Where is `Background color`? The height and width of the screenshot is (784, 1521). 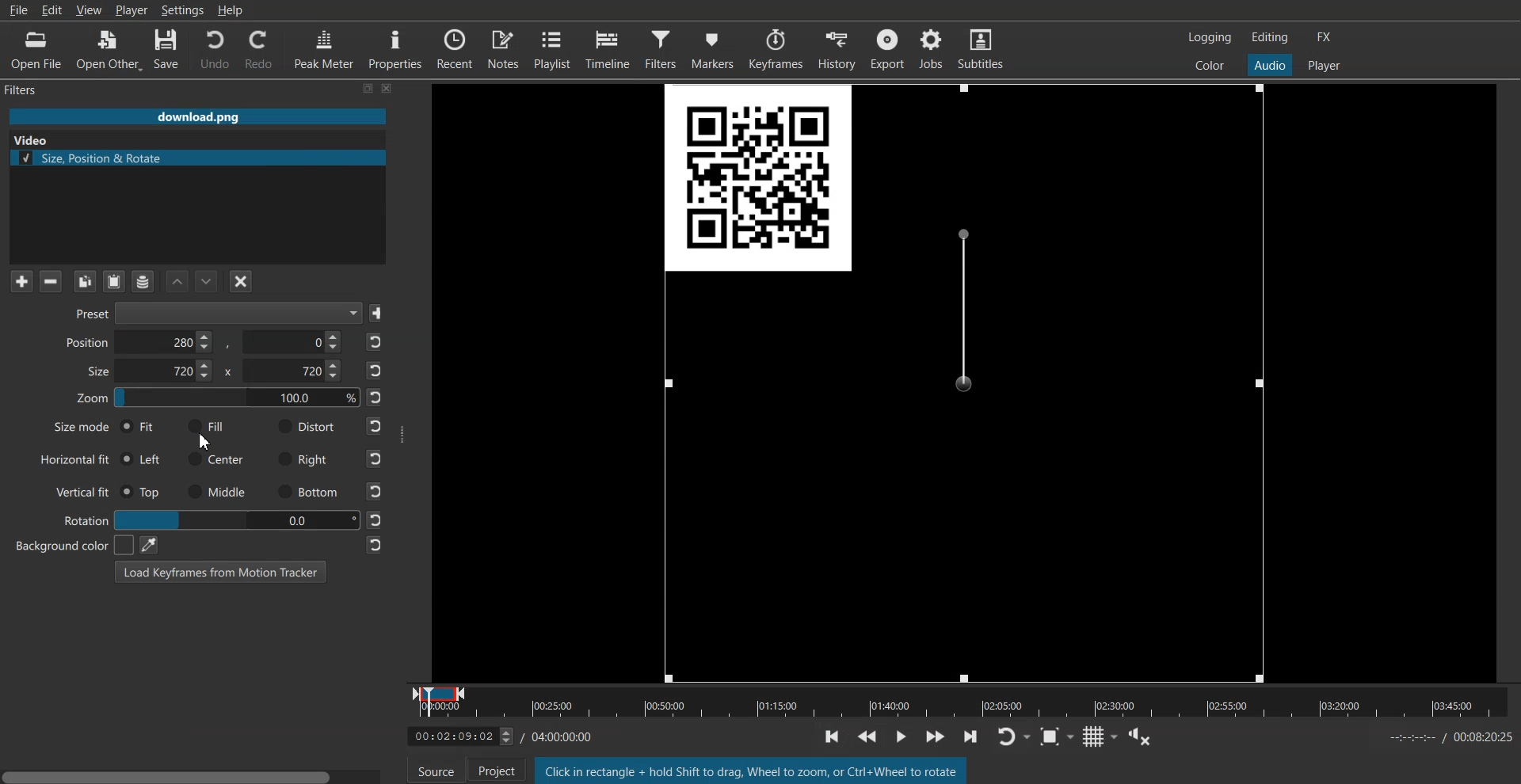 Background color is located at coordinates (66, 545).